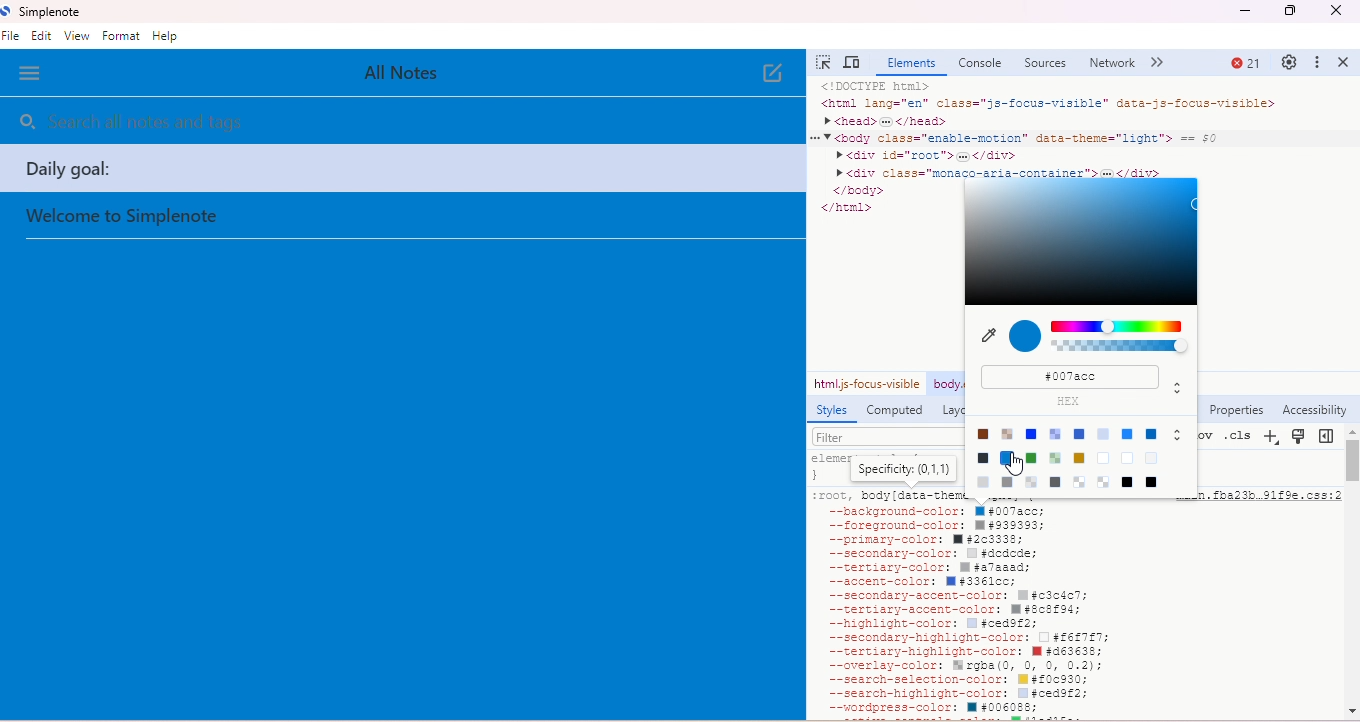  I want to click on simplenote, so click(42, 11).